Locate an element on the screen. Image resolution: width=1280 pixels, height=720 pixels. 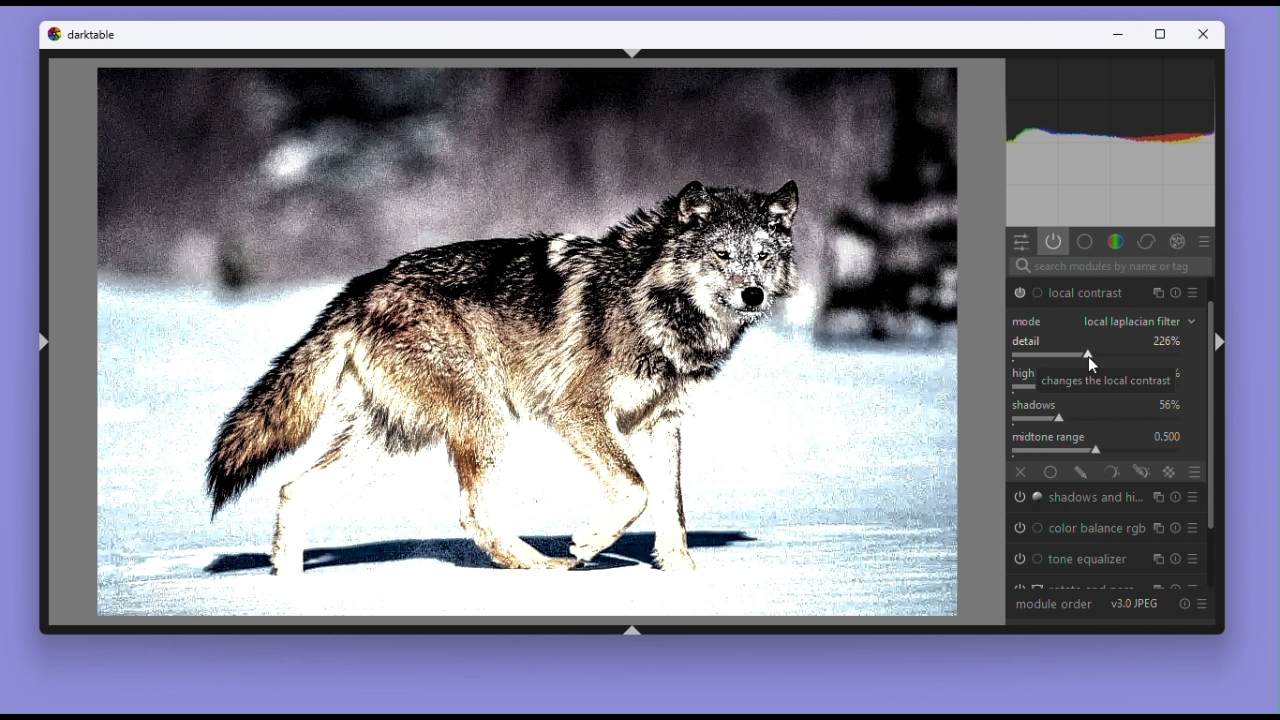
Blending options is located at coordinates (1194, 471).